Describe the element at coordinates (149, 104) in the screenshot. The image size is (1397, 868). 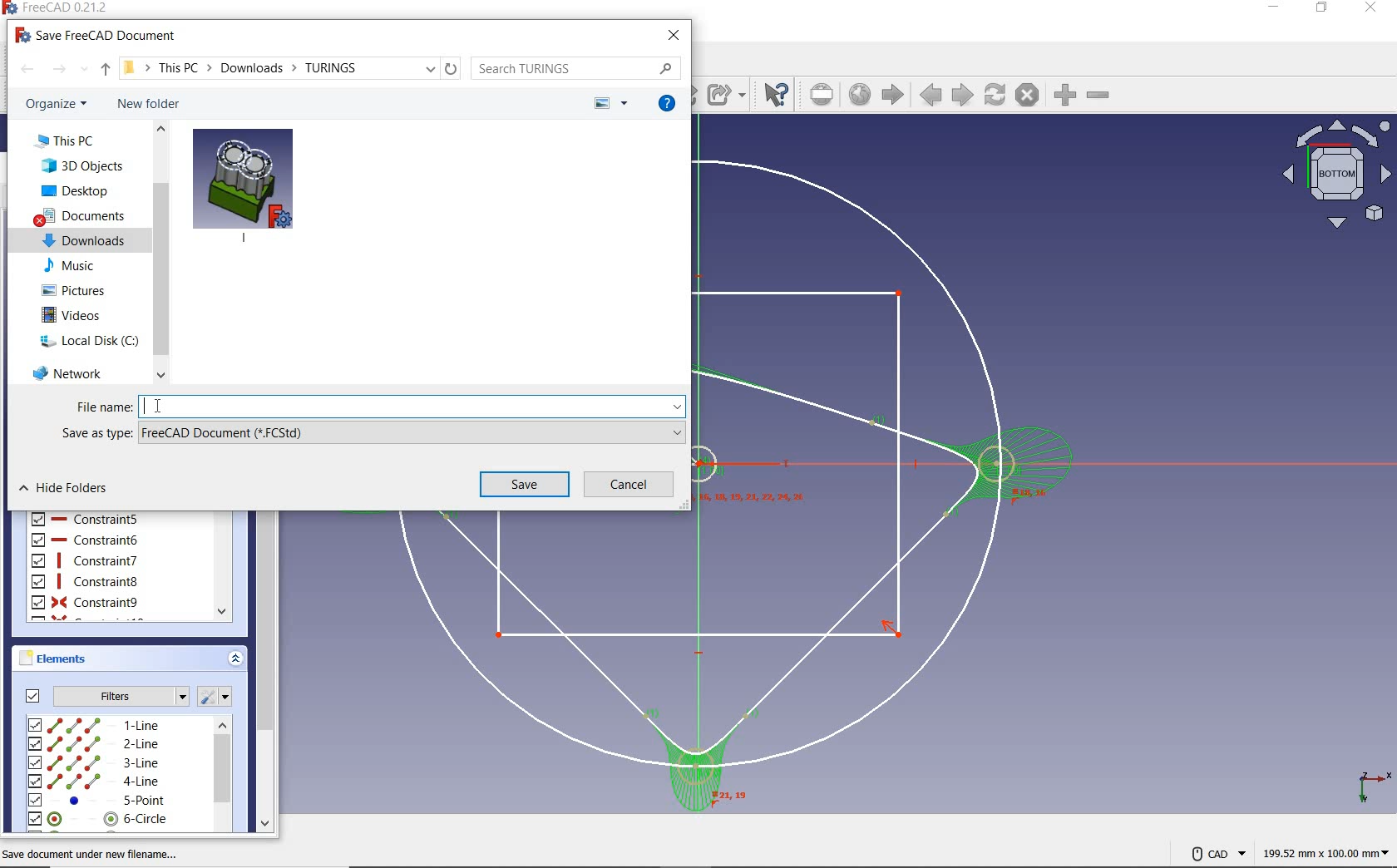
I see `new folder` at that location.